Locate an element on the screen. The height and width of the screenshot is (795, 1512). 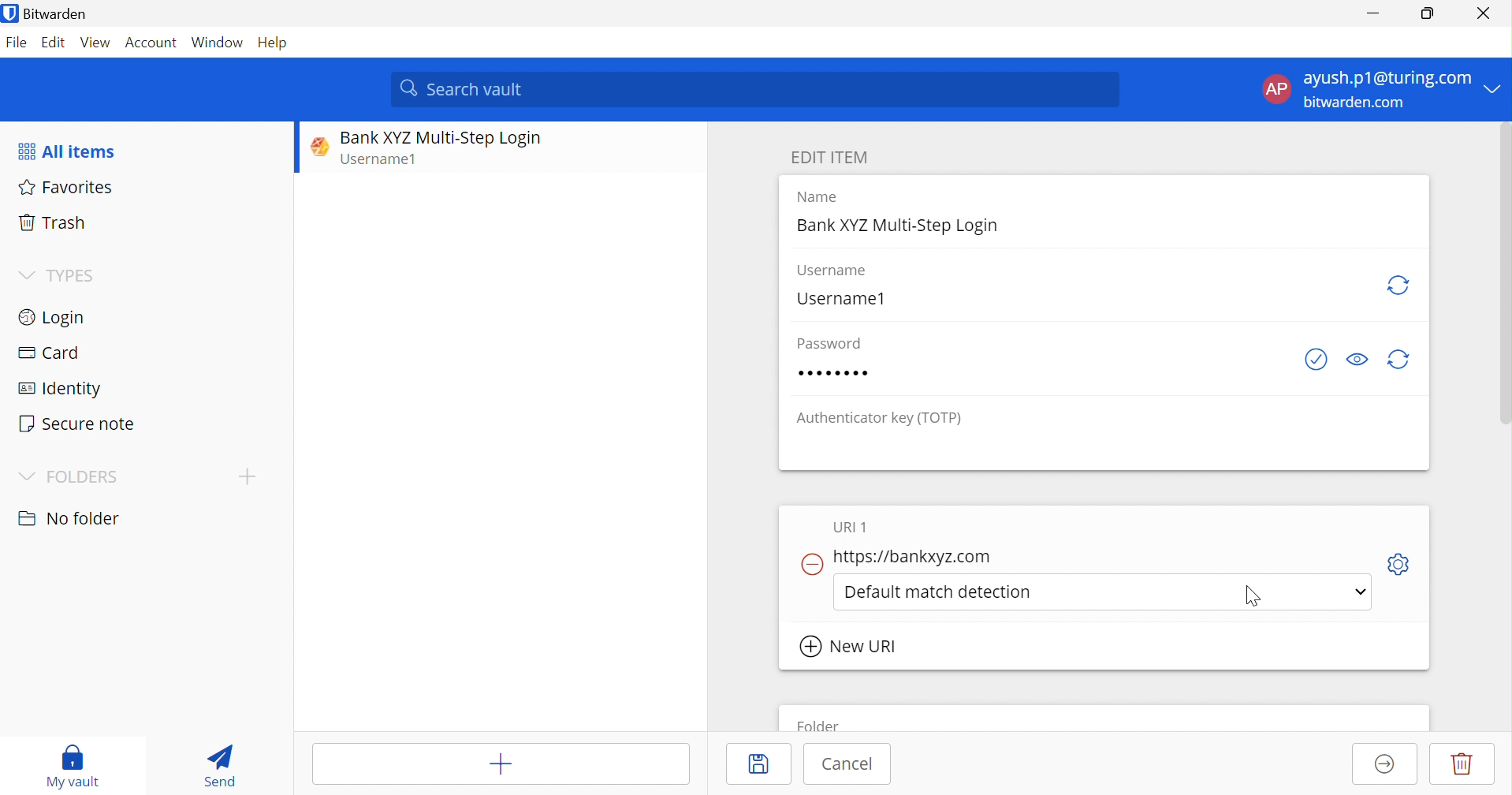
Card is located at coordinates (48, 352).